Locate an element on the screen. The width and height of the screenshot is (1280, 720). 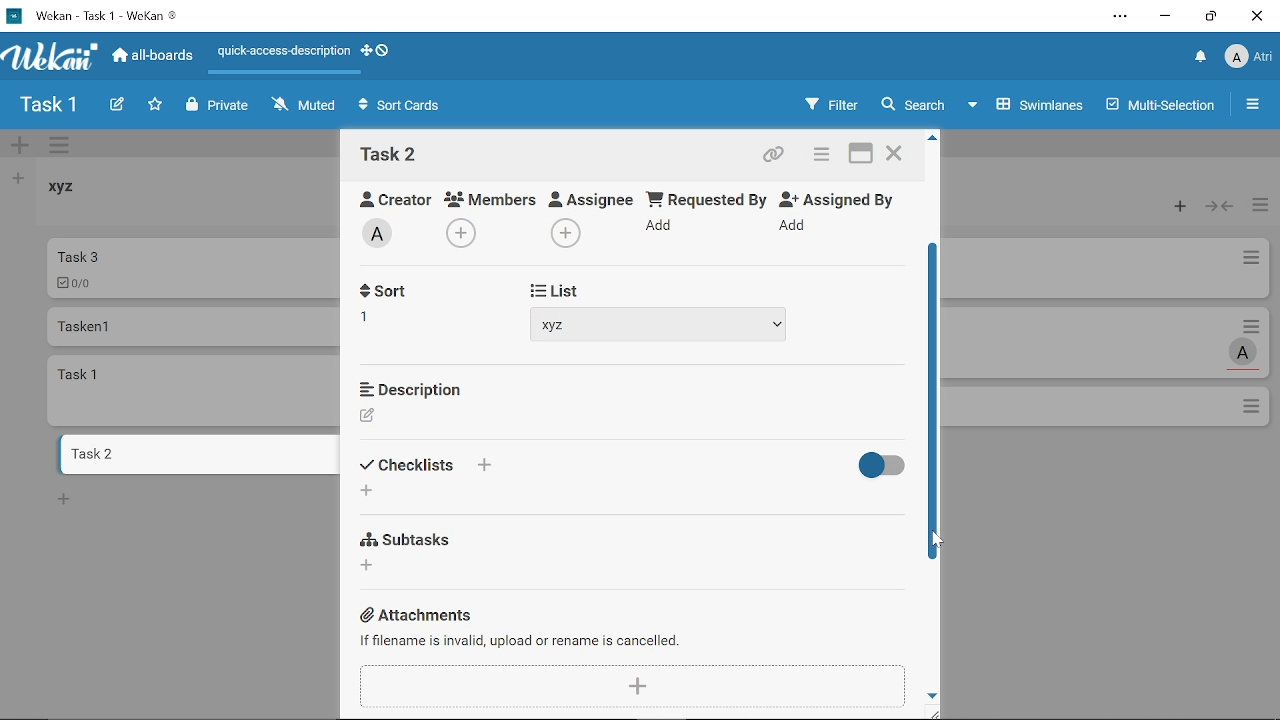
Profile is located at coordinates (1248, 59).